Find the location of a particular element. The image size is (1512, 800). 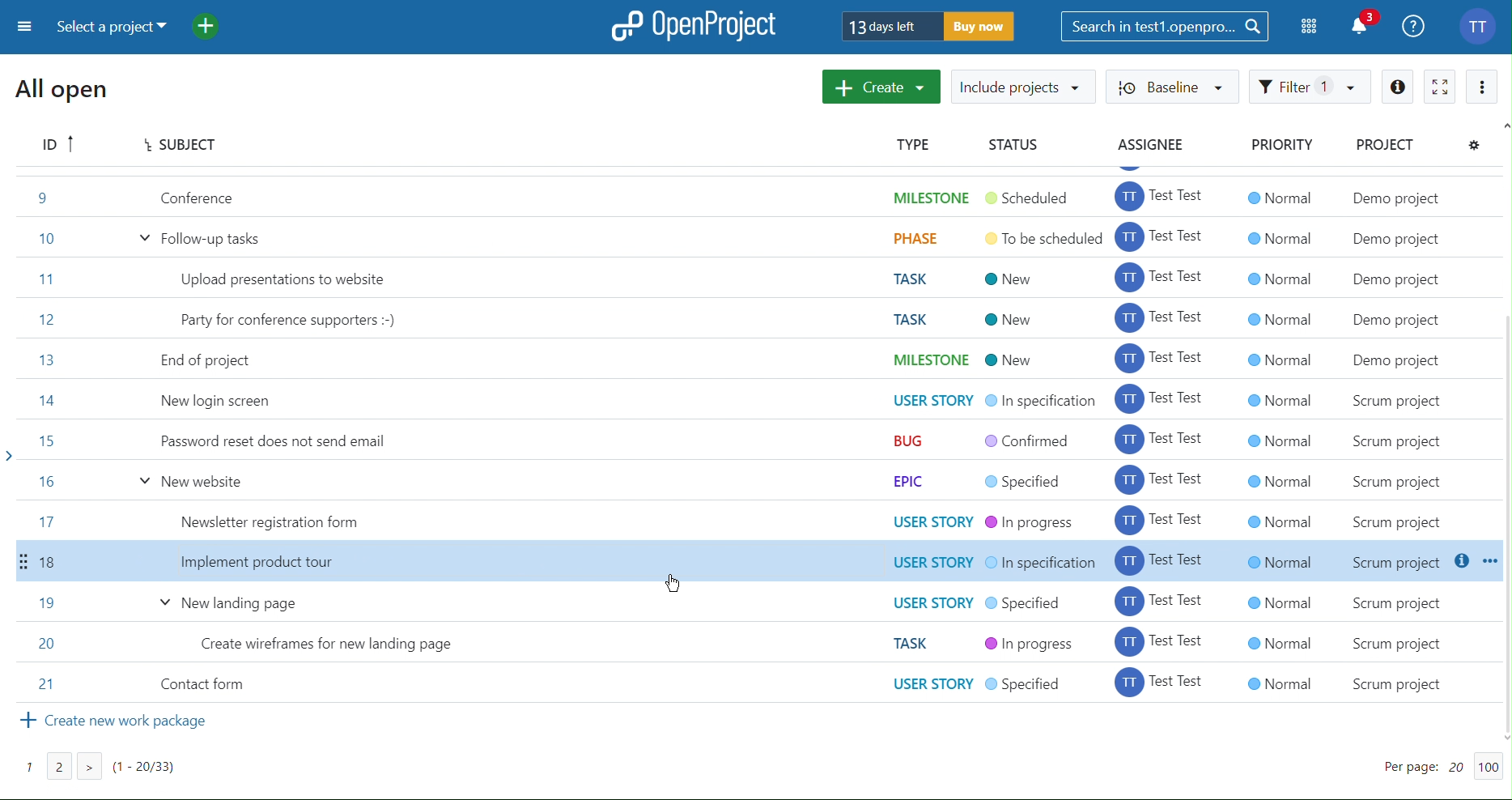

Notifications is located at coordinates (1365, 24).